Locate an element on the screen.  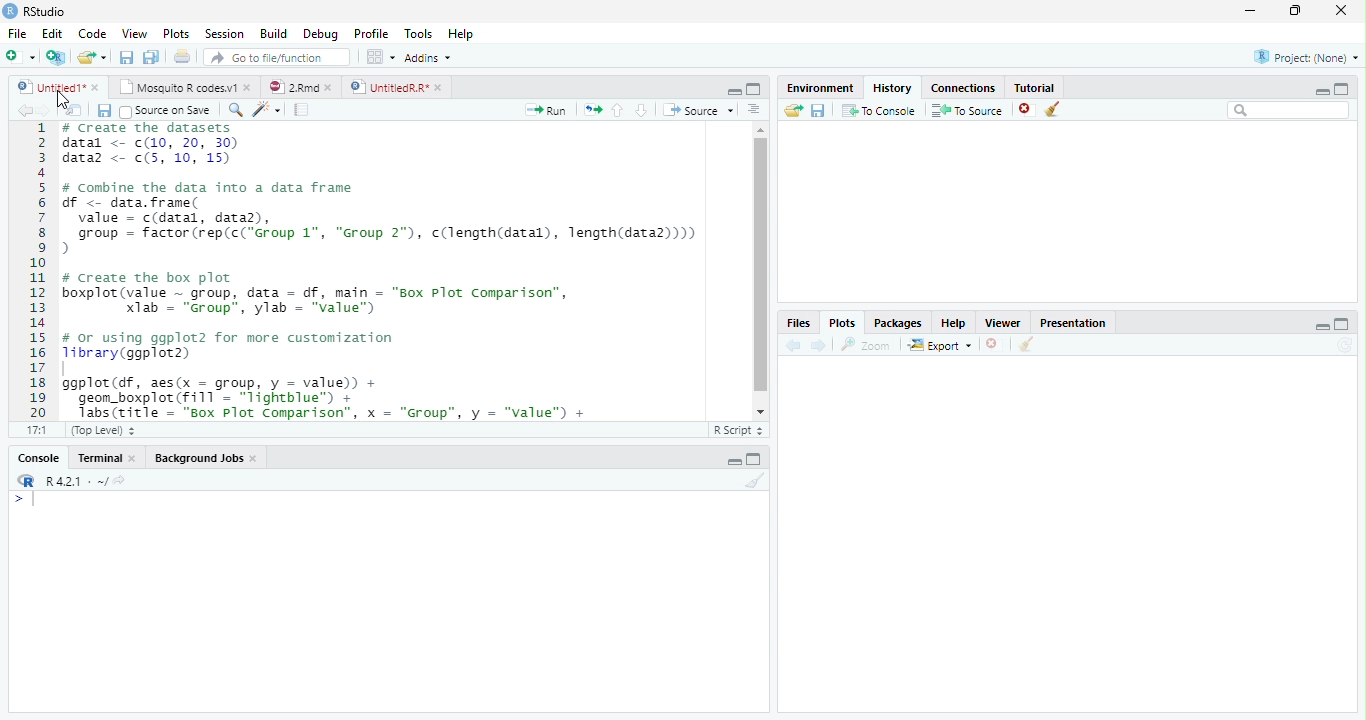
View the current working directory is located at coordinates (119, 480).